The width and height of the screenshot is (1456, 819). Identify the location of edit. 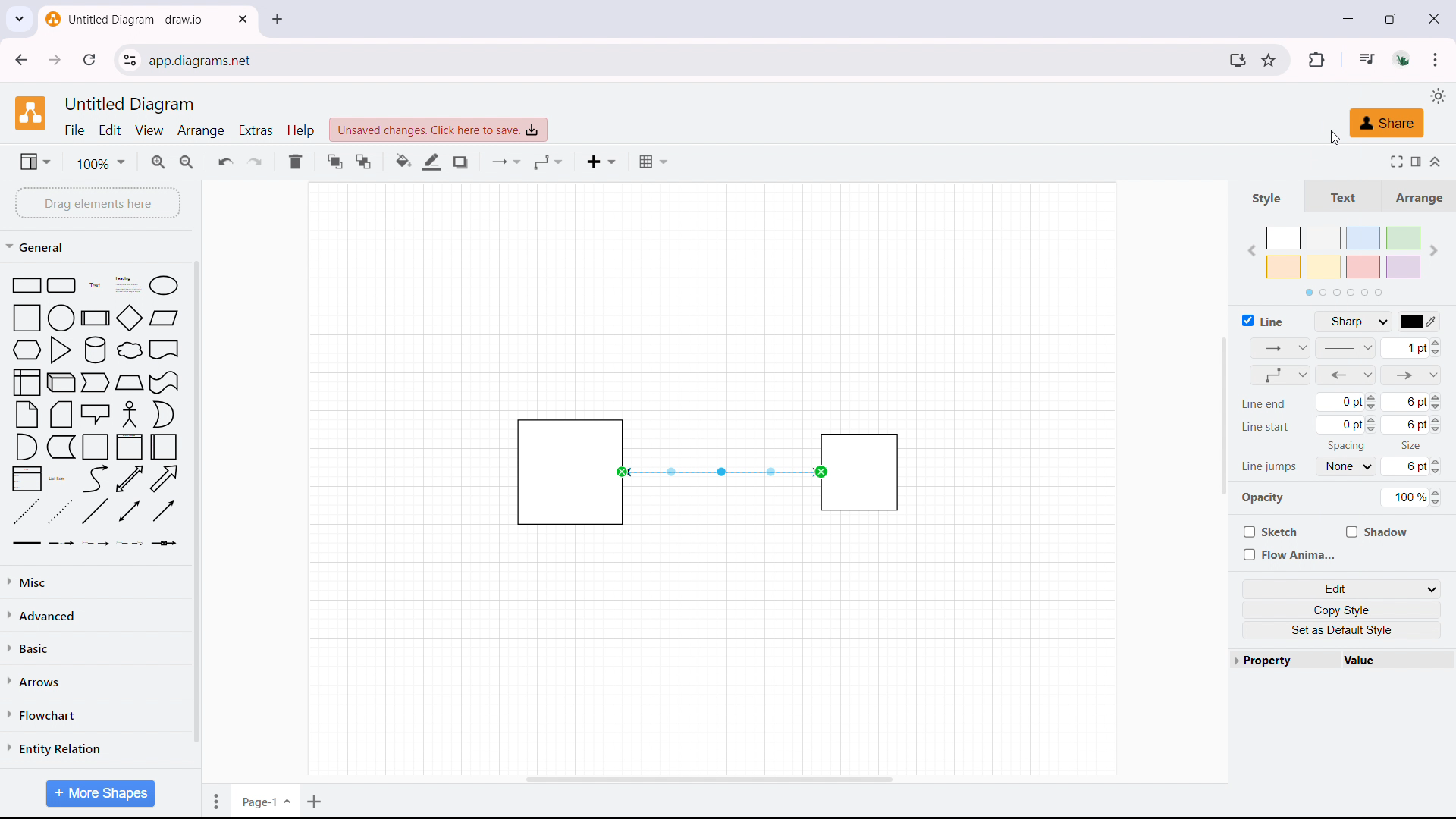
(111, 130).